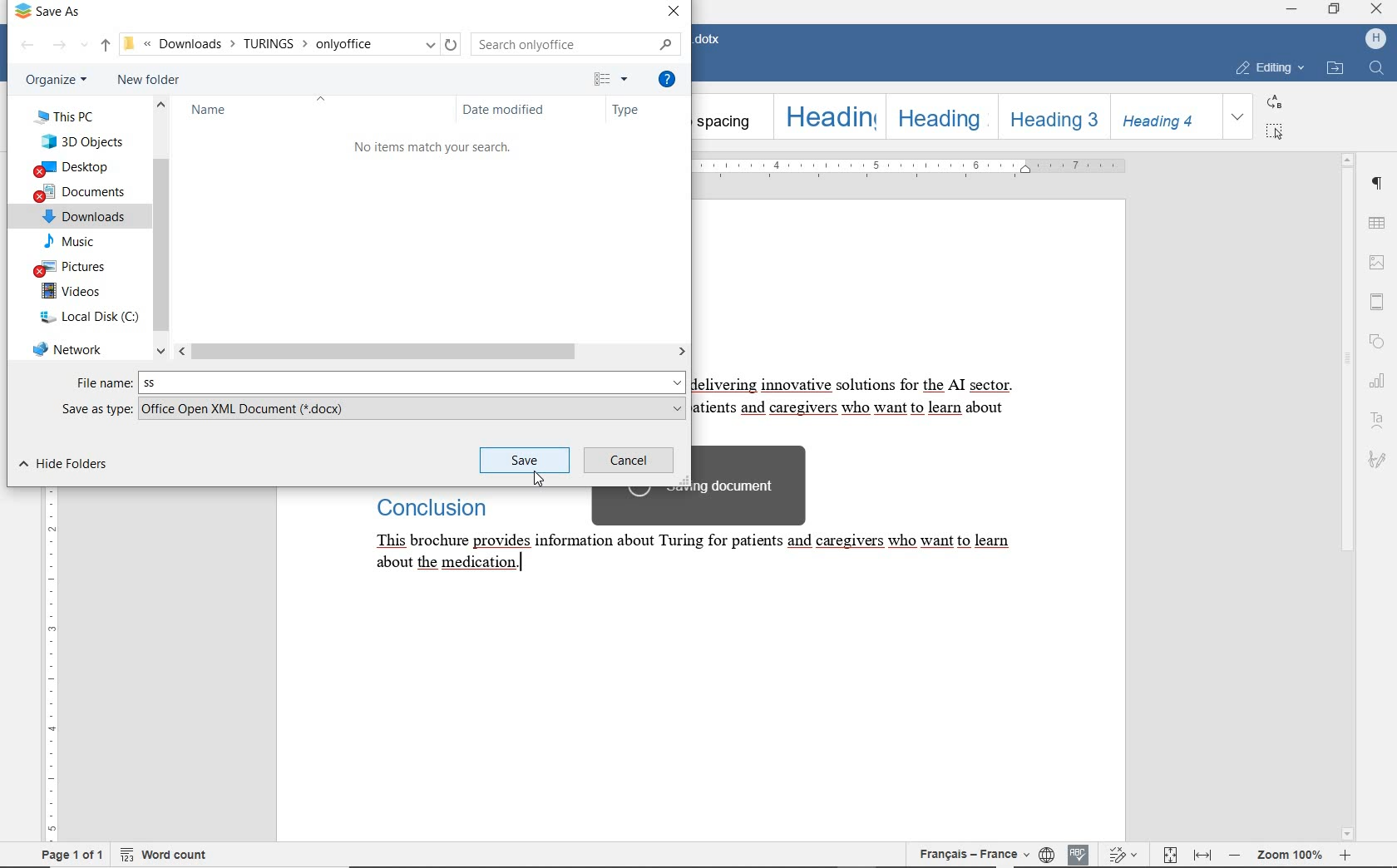  Describe the element at coordinates (684, 482) in the screenshot. I see `resize` at that location.